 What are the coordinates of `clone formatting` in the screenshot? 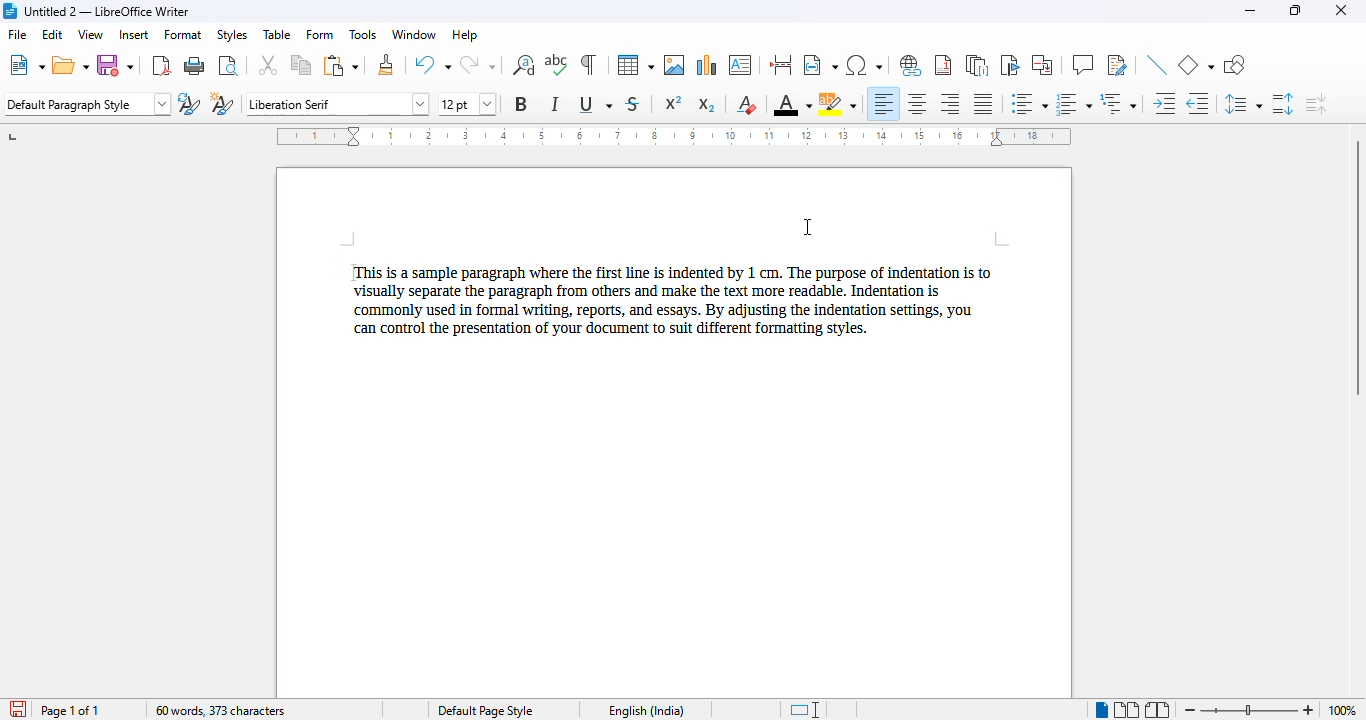 It's located at (387, 65).